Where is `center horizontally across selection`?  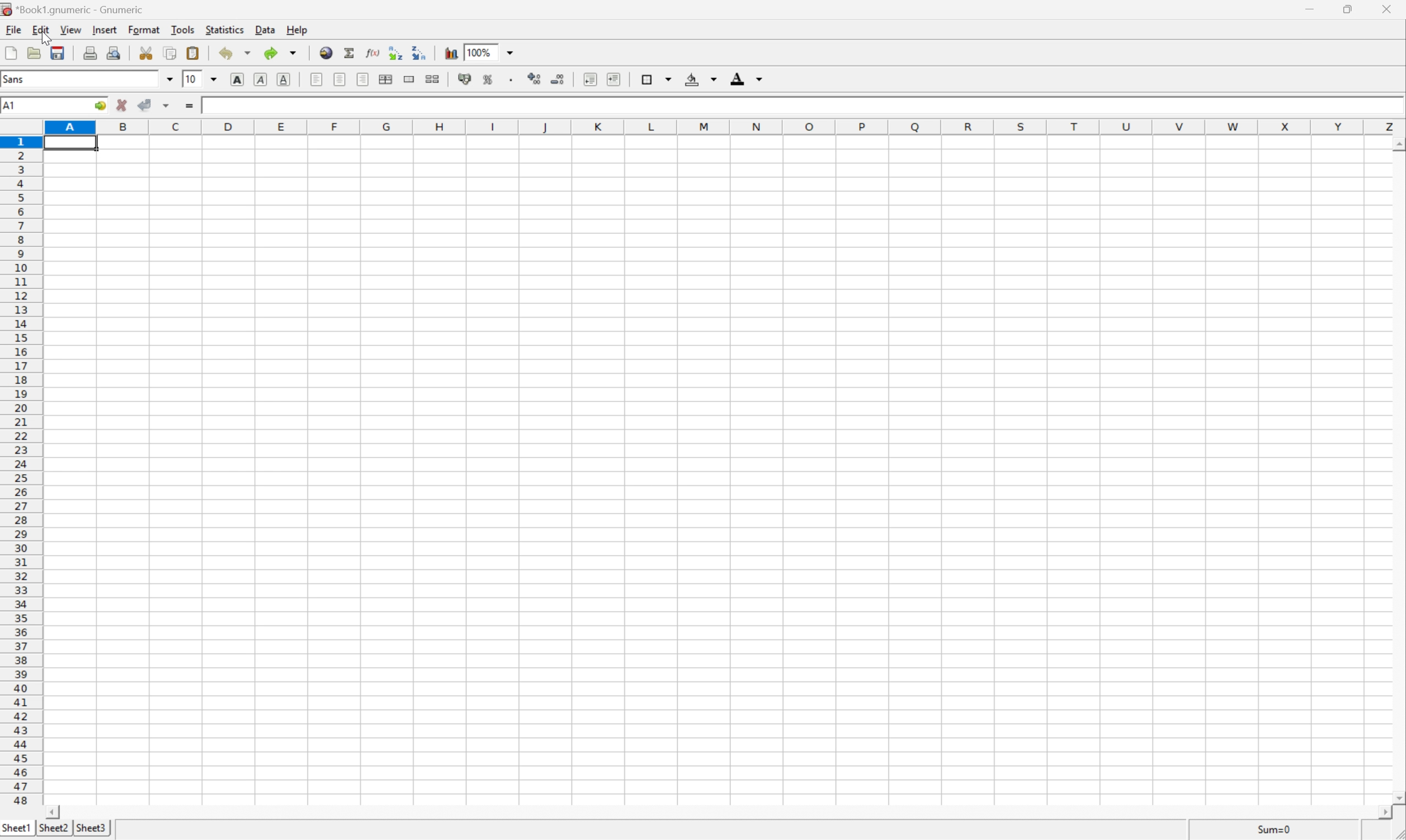
center horizontally across selection is located at coordinates (387, 77).